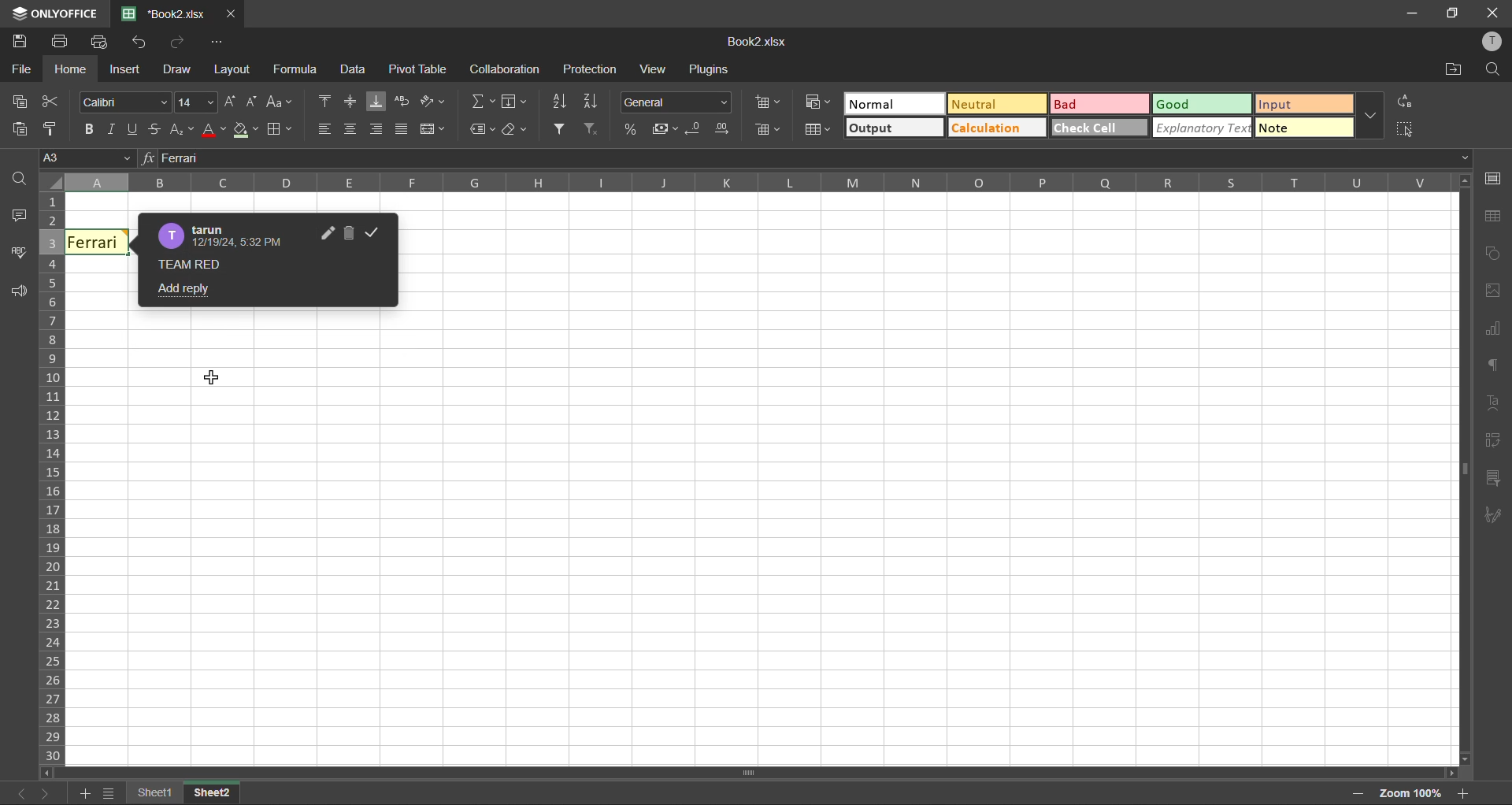  Describe the element at coordinates (404, 129) in the screenshot. I see `justified` at that location.